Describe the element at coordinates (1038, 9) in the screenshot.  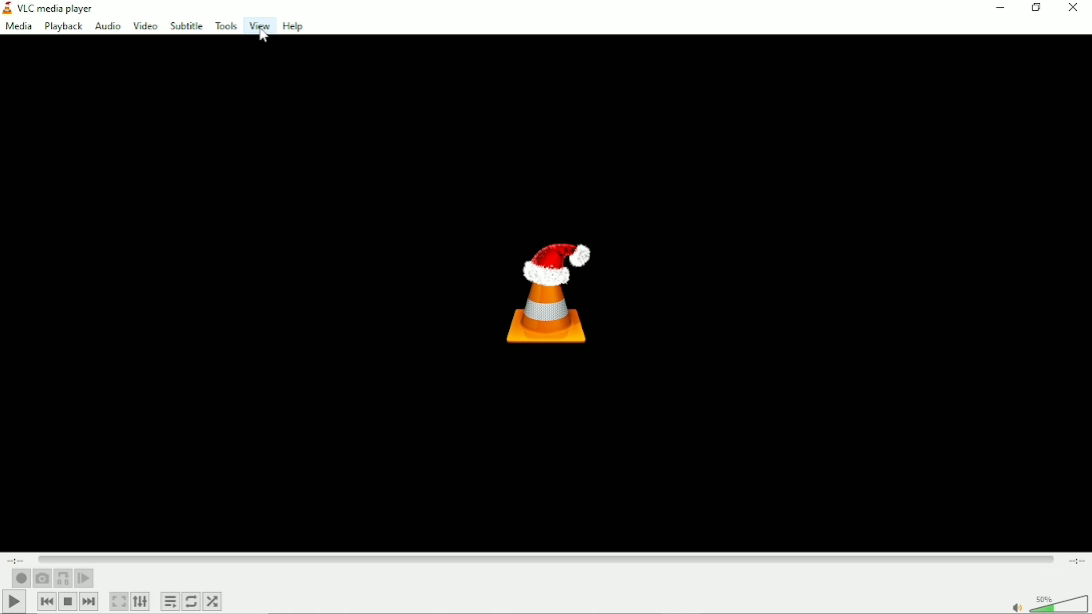
I see `Restore down` at that location.